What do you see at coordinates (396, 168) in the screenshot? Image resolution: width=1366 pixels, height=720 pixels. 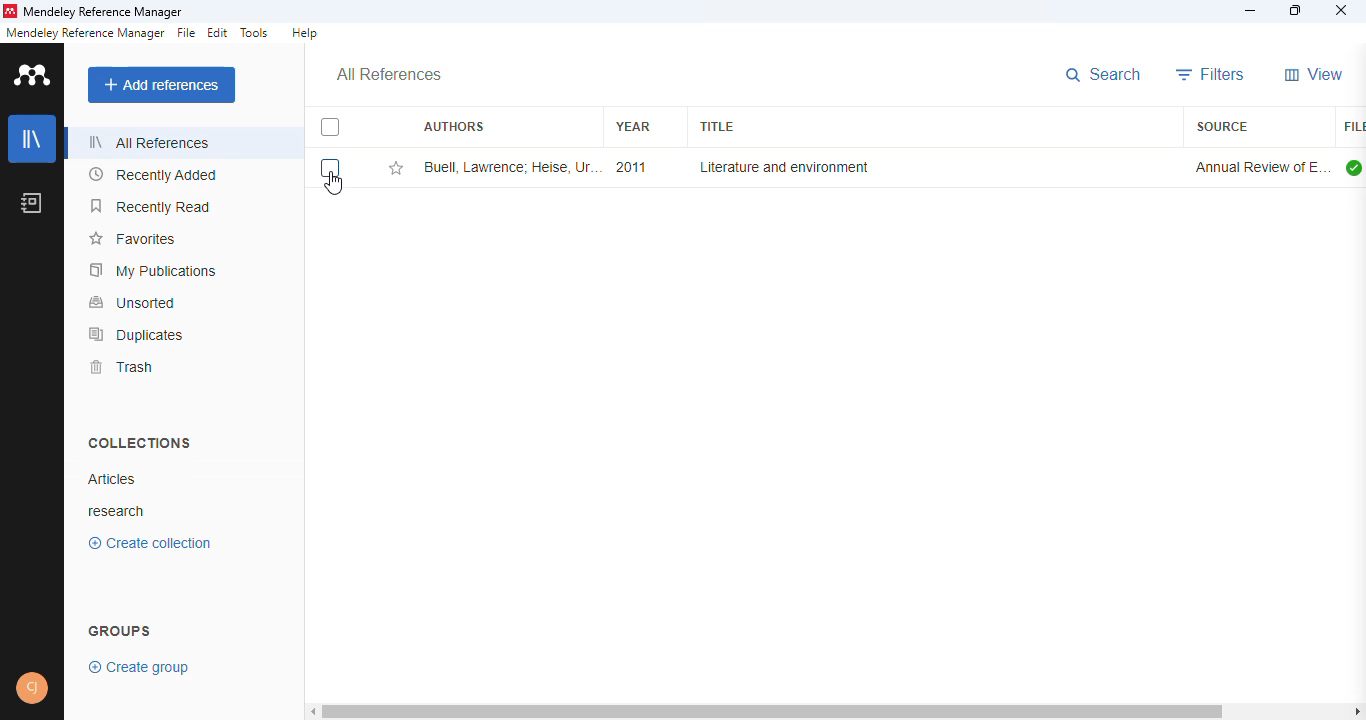 I see `add this reference to favorites` at bounding box center [396, 168].